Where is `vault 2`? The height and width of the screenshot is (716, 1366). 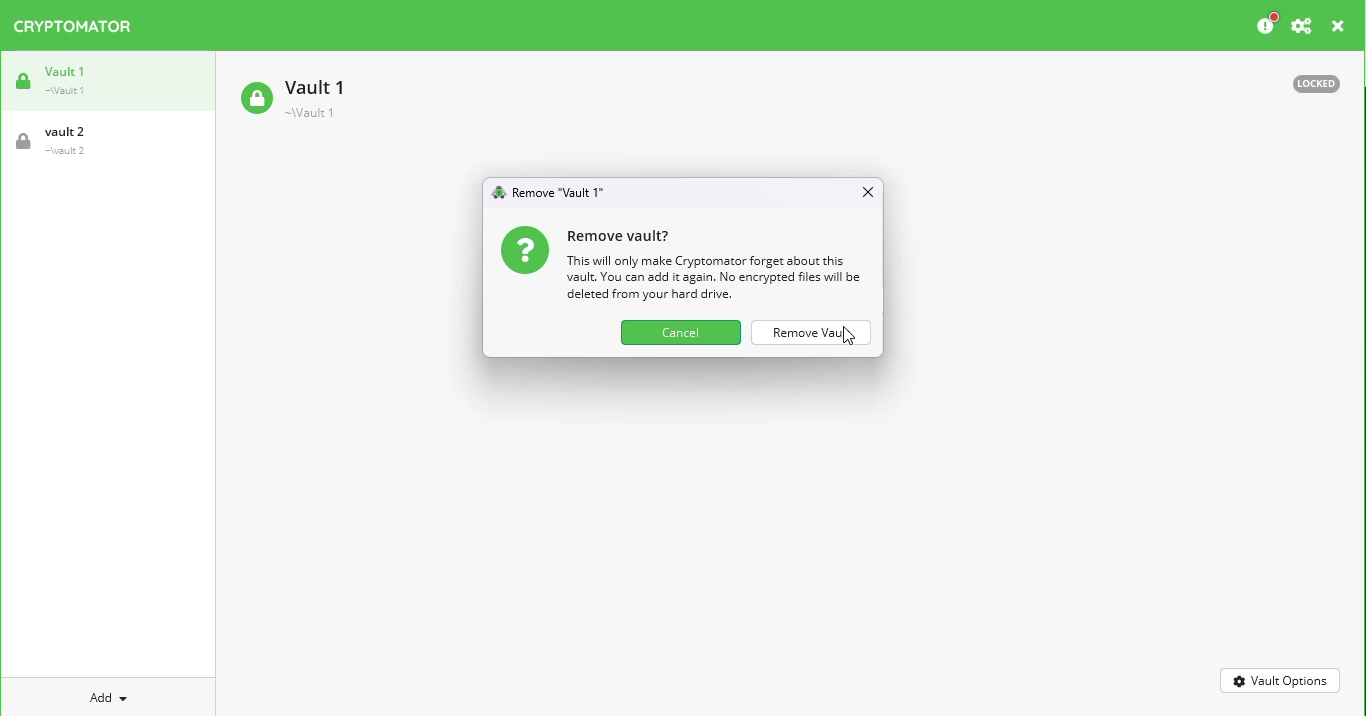 vault 2 is located at coordinates (58, 141).